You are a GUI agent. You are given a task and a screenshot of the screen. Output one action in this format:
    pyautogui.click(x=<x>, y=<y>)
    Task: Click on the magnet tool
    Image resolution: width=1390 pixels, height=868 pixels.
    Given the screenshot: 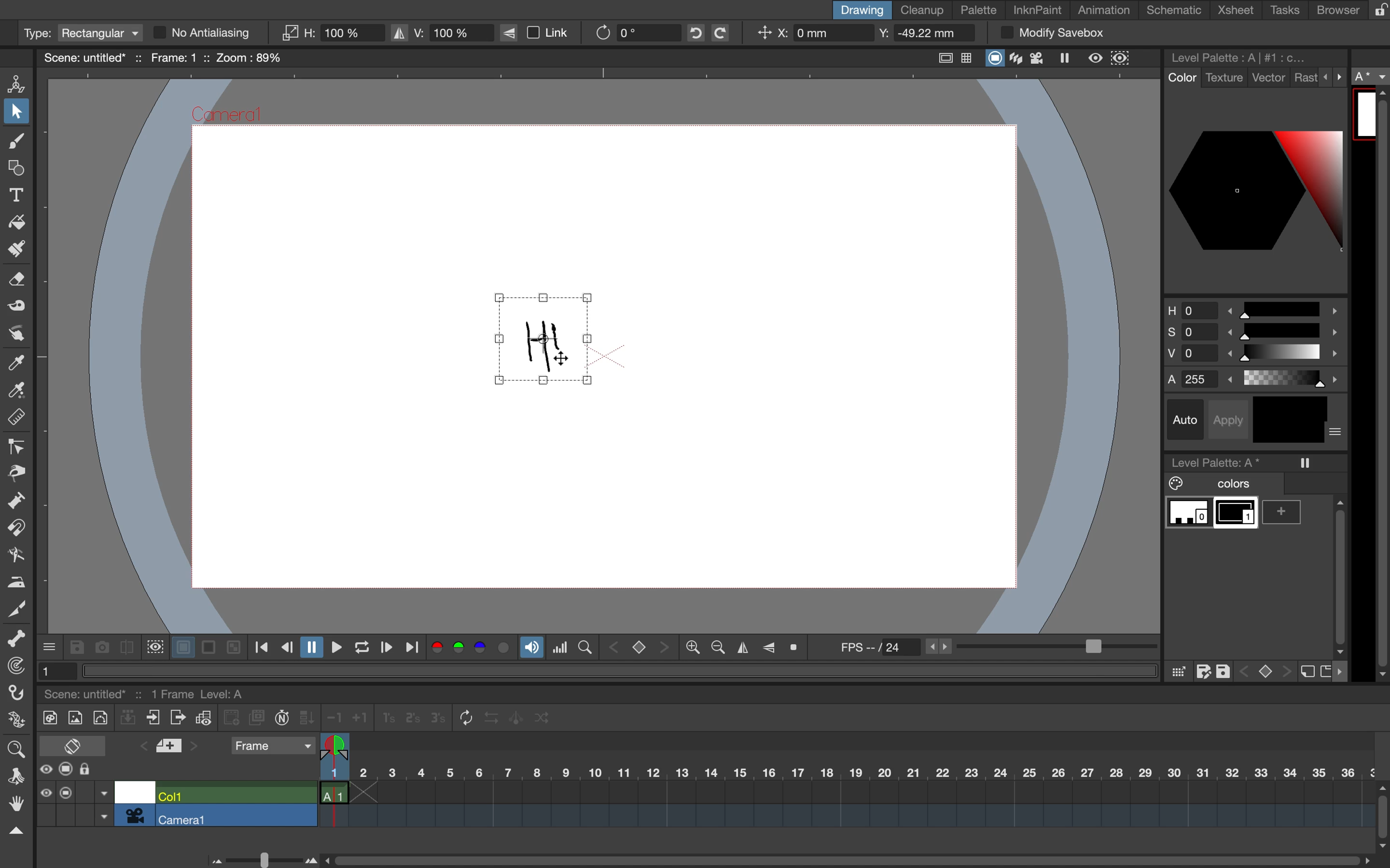 What is the action you would take?
    pyautogui.click(x=15, y=529)
    